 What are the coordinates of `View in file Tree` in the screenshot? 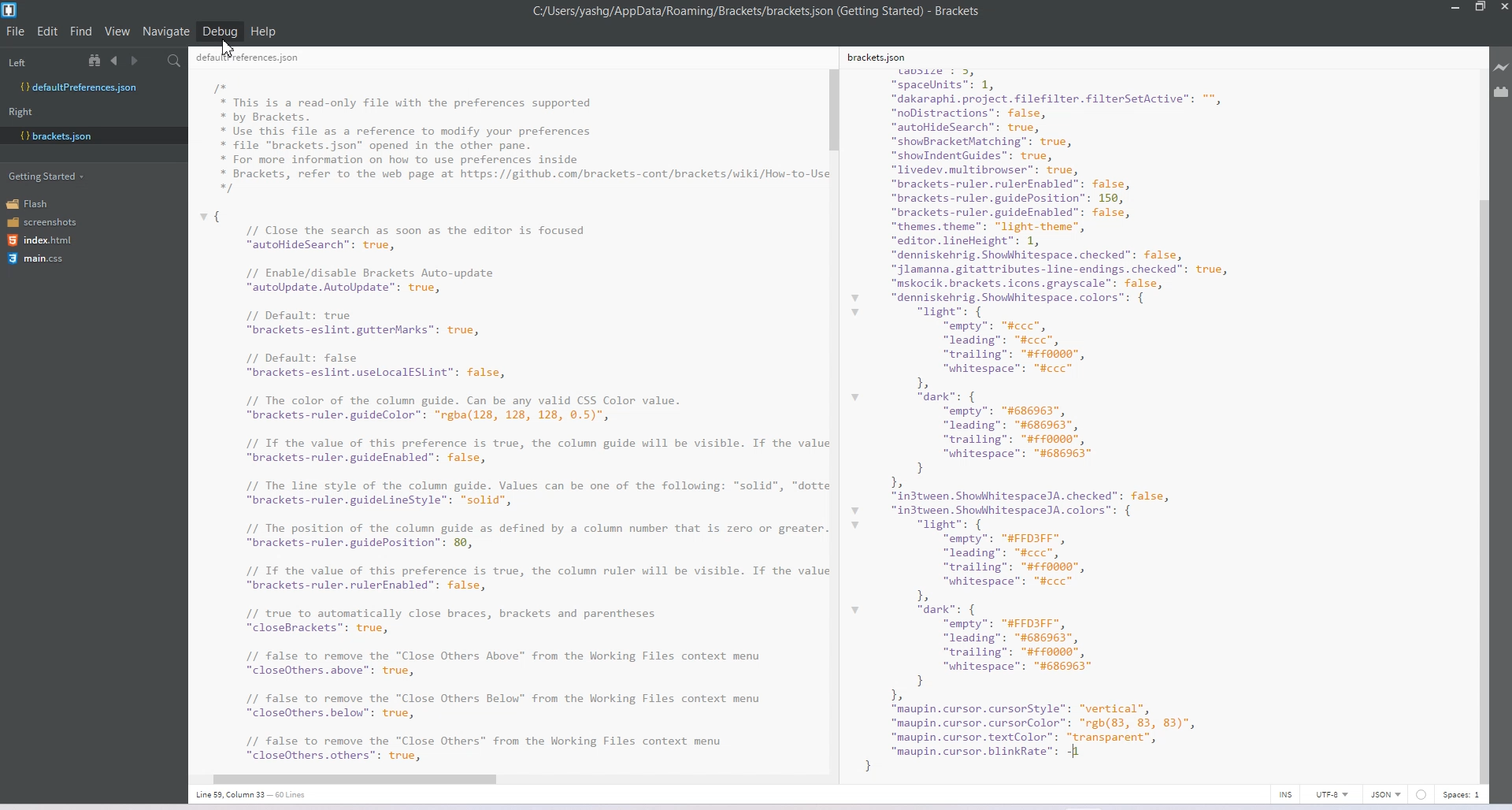 It's located at (97, 60).